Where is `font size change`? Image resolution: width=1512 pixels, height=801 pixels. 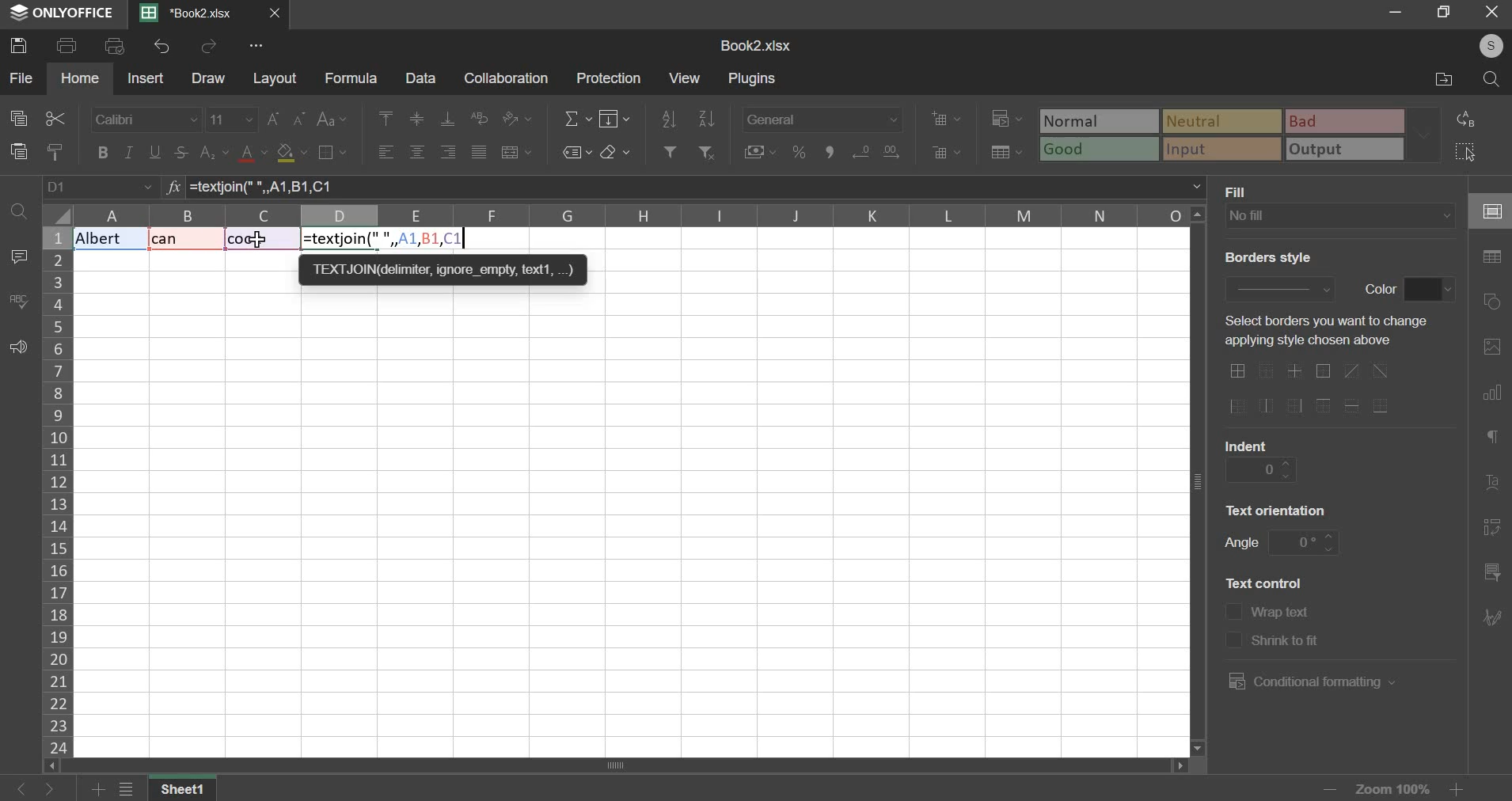 font size change is located at coordinates (288, 119).